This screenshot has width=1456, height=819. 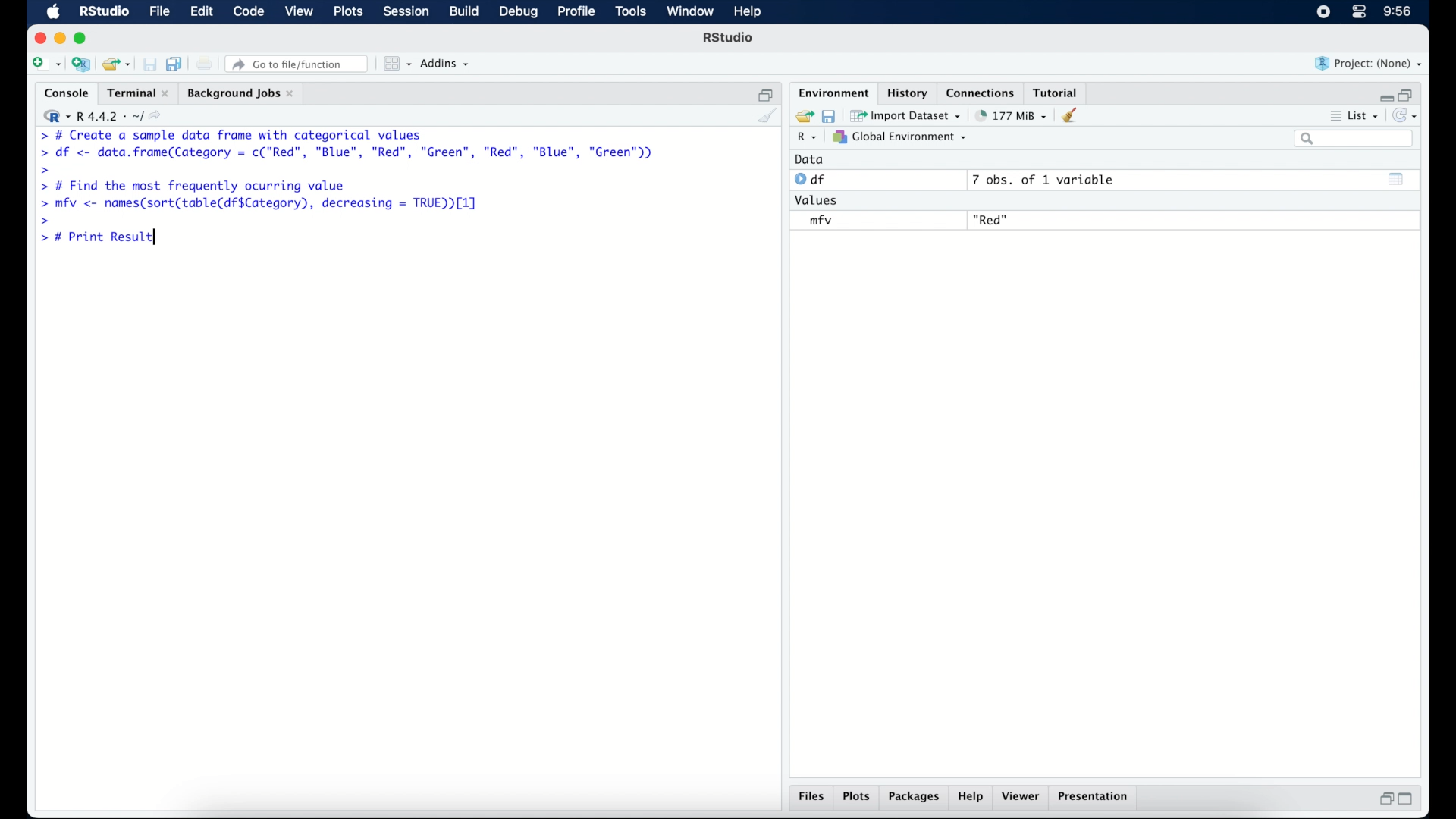 I want to click on values, so click(x=820, y=201).